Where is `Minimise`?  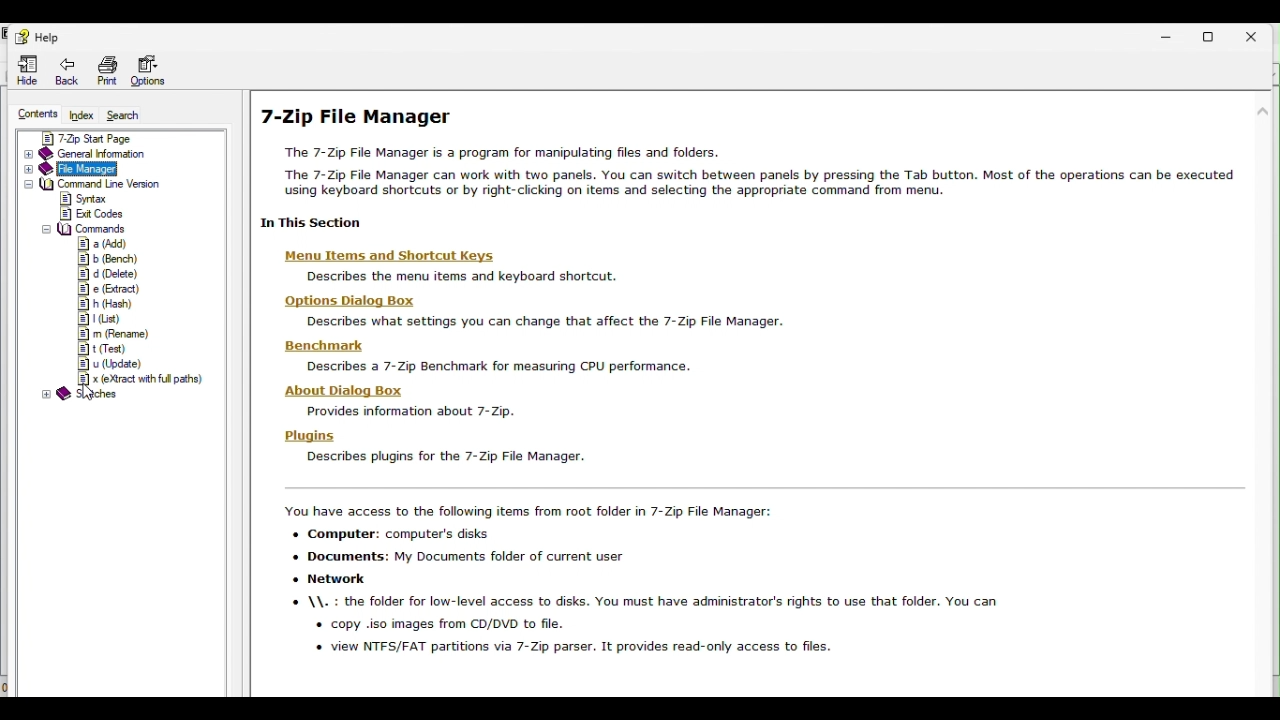
Minimise is located at coordinates (1156, 34).